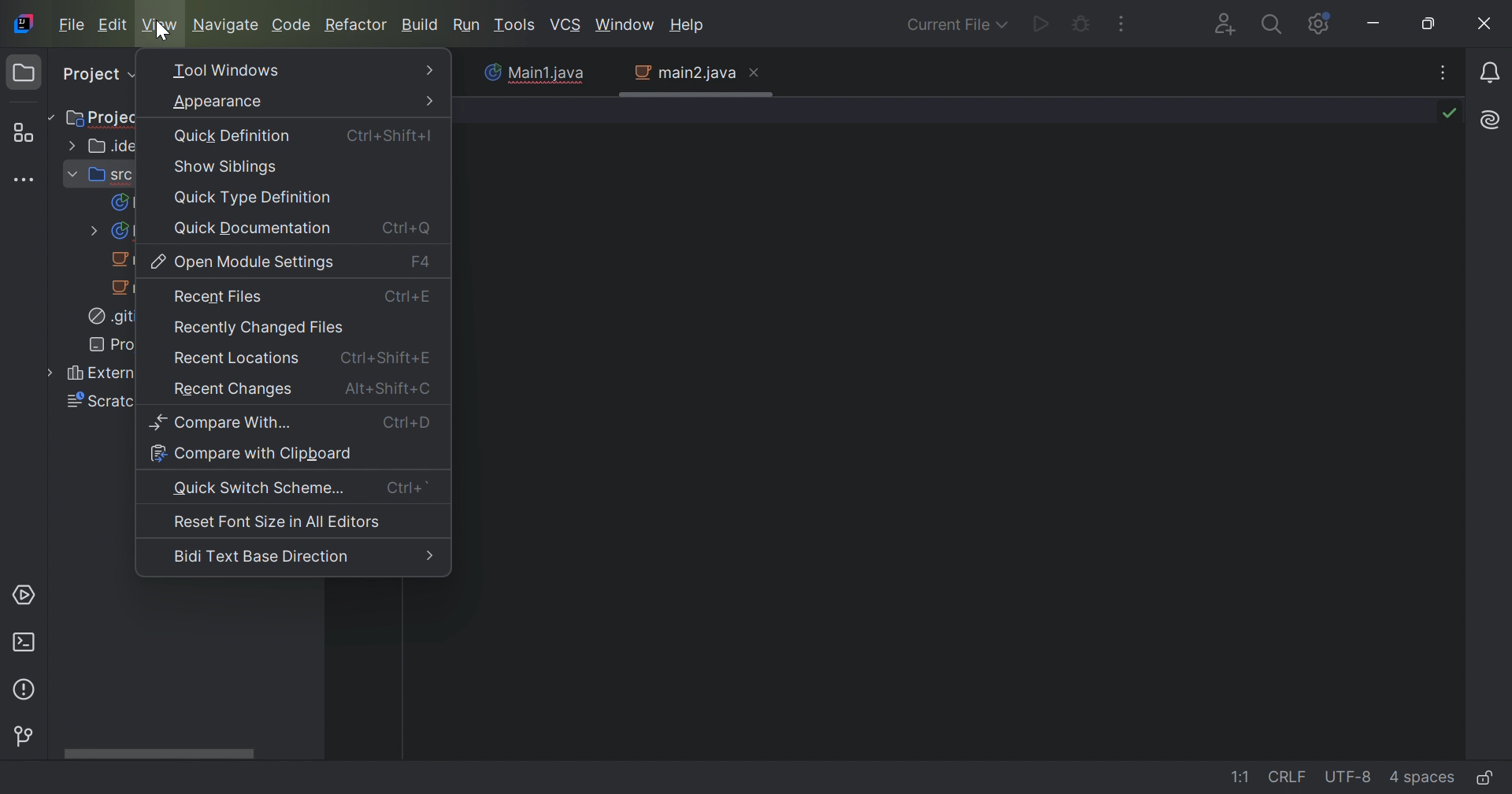 Image resolution: width=1512 pixels, height=794 pixels. What do you see at coordinates (97, 76) in the screenshot?
I see `Project` at bounding box center [97, 76].